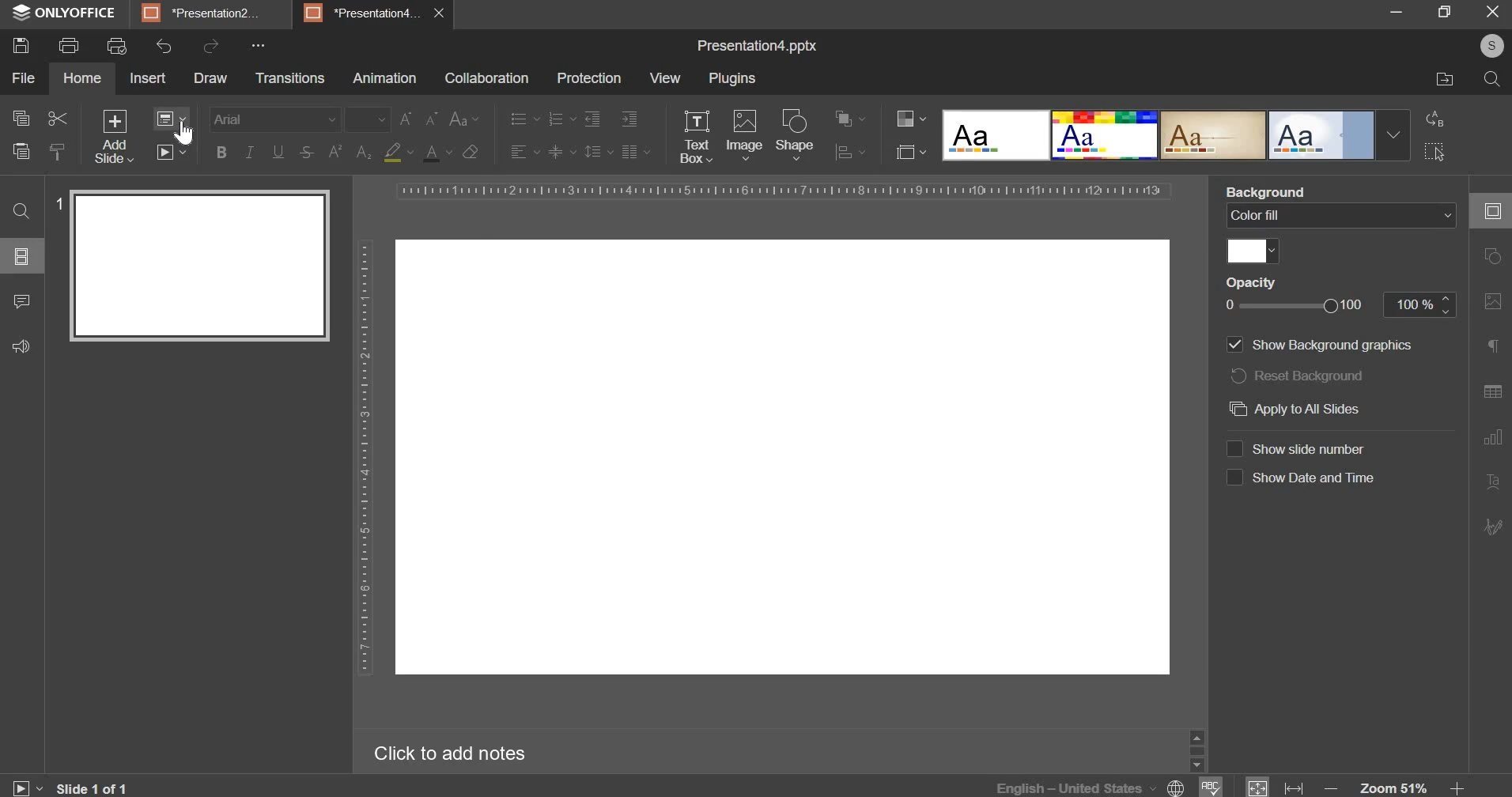 The height and width of the screenshot is (797, 1512). Describe the element at coordinates (1272, 191) in the screenshot. I see `background` at that location.